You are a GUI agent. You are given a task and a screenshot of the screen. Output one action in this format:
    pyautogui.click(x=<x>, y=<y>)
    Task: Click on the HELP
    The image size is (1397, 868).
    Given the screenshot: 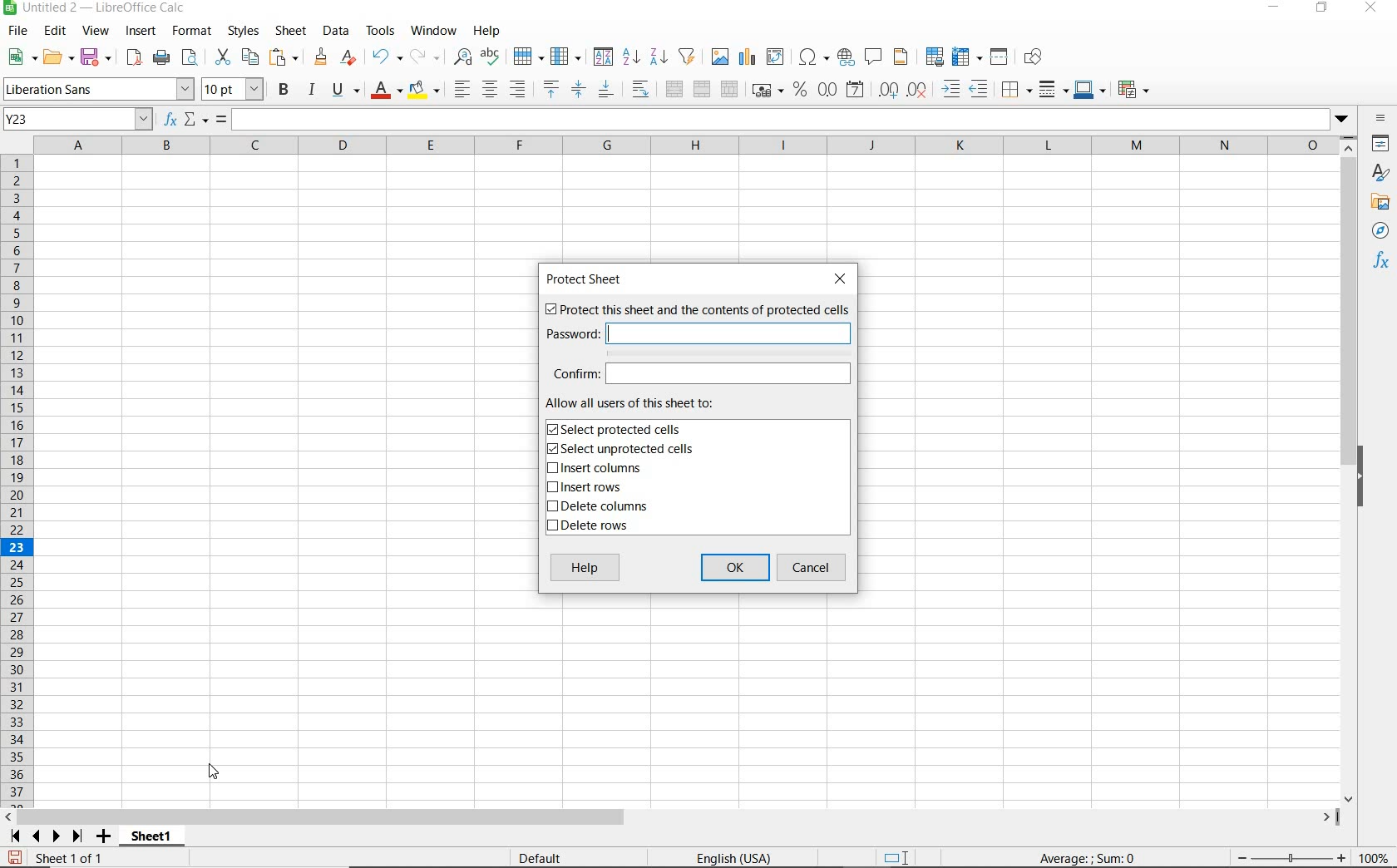 What is the action you would take?
    pyautogui.click(x=585, y=570)
    